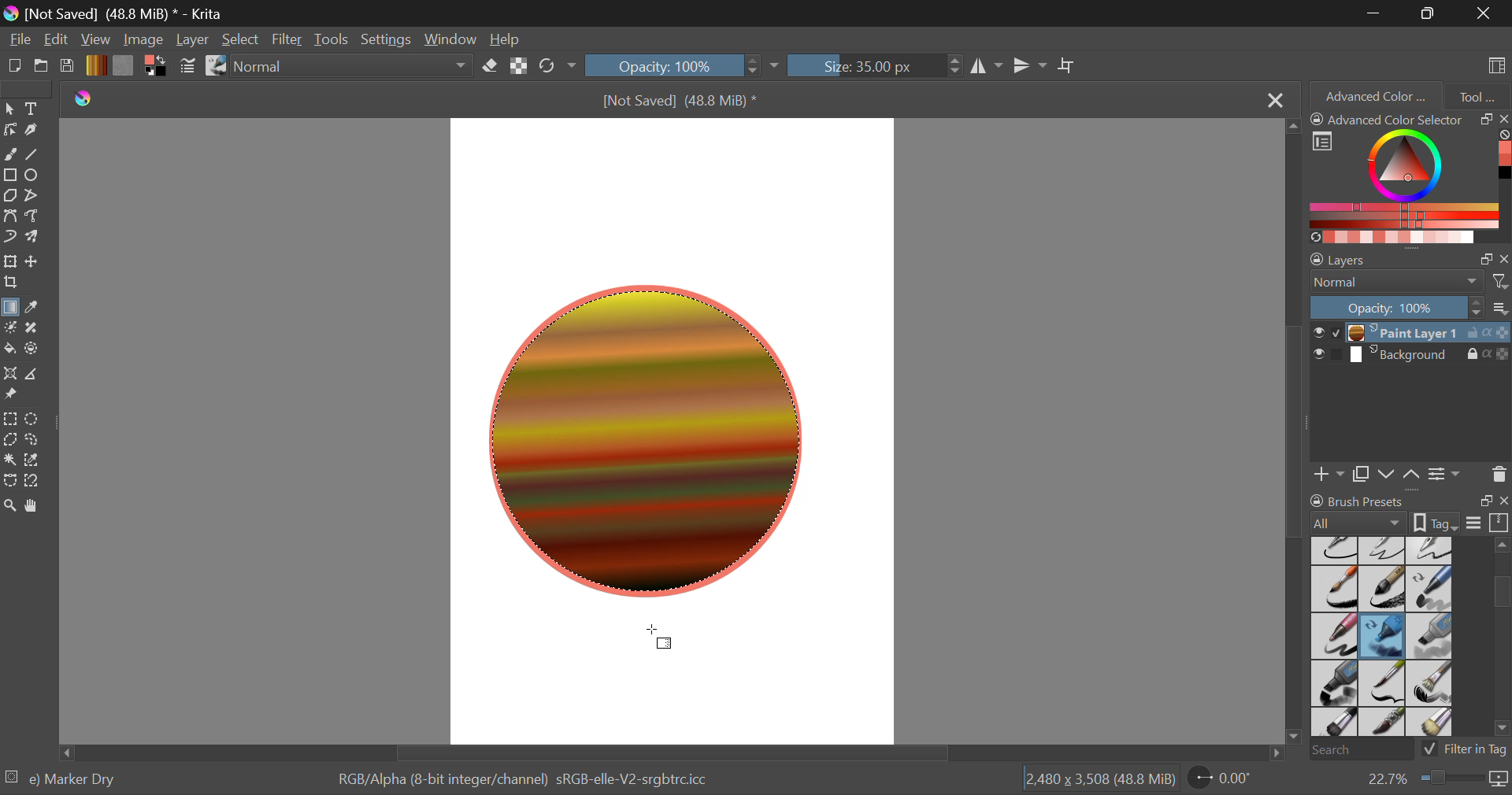  I want to click on Preserve Alpha, so click(518, 66).